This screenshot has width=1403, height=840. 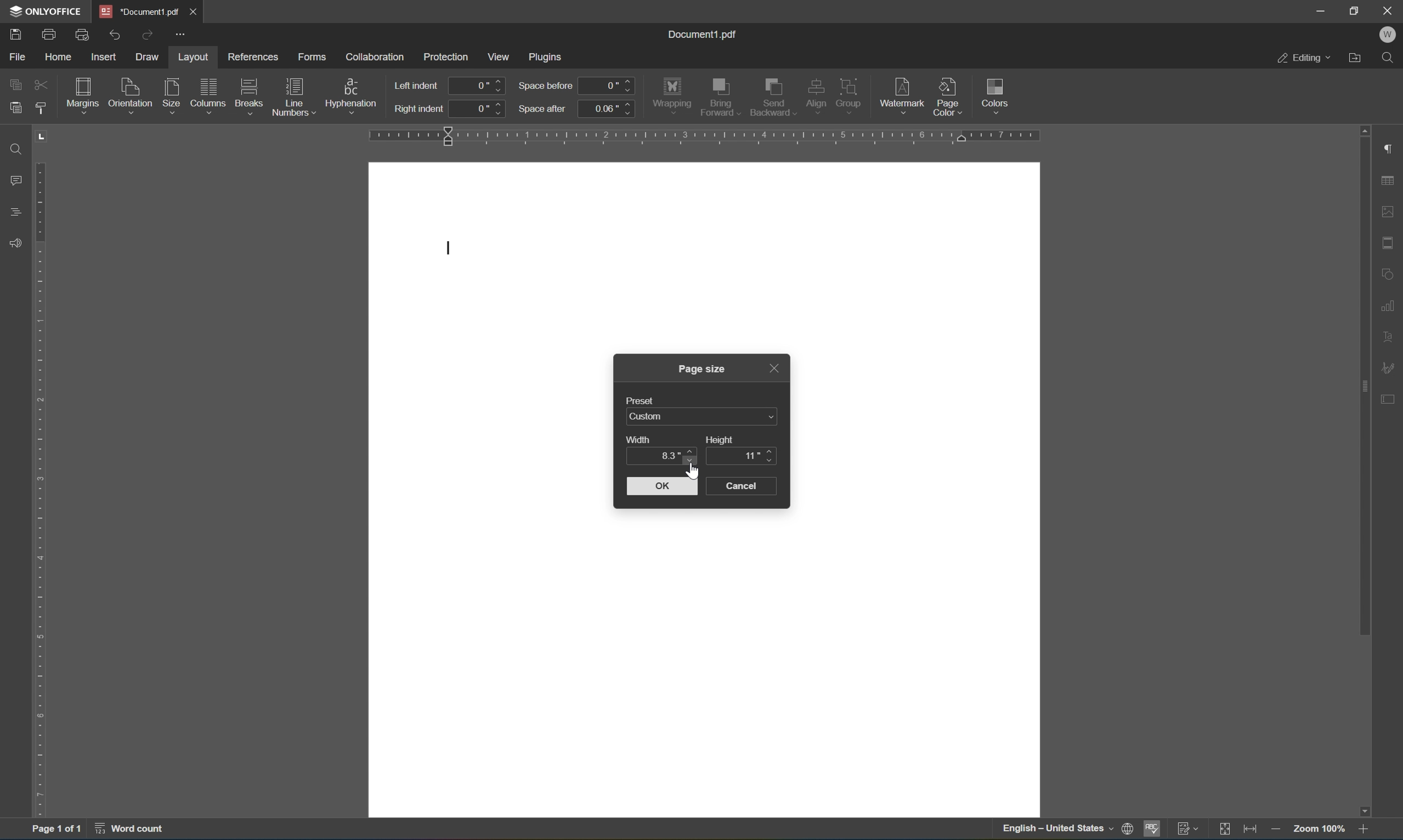 I want to click on text art settings, so click(x=1391, y=335).